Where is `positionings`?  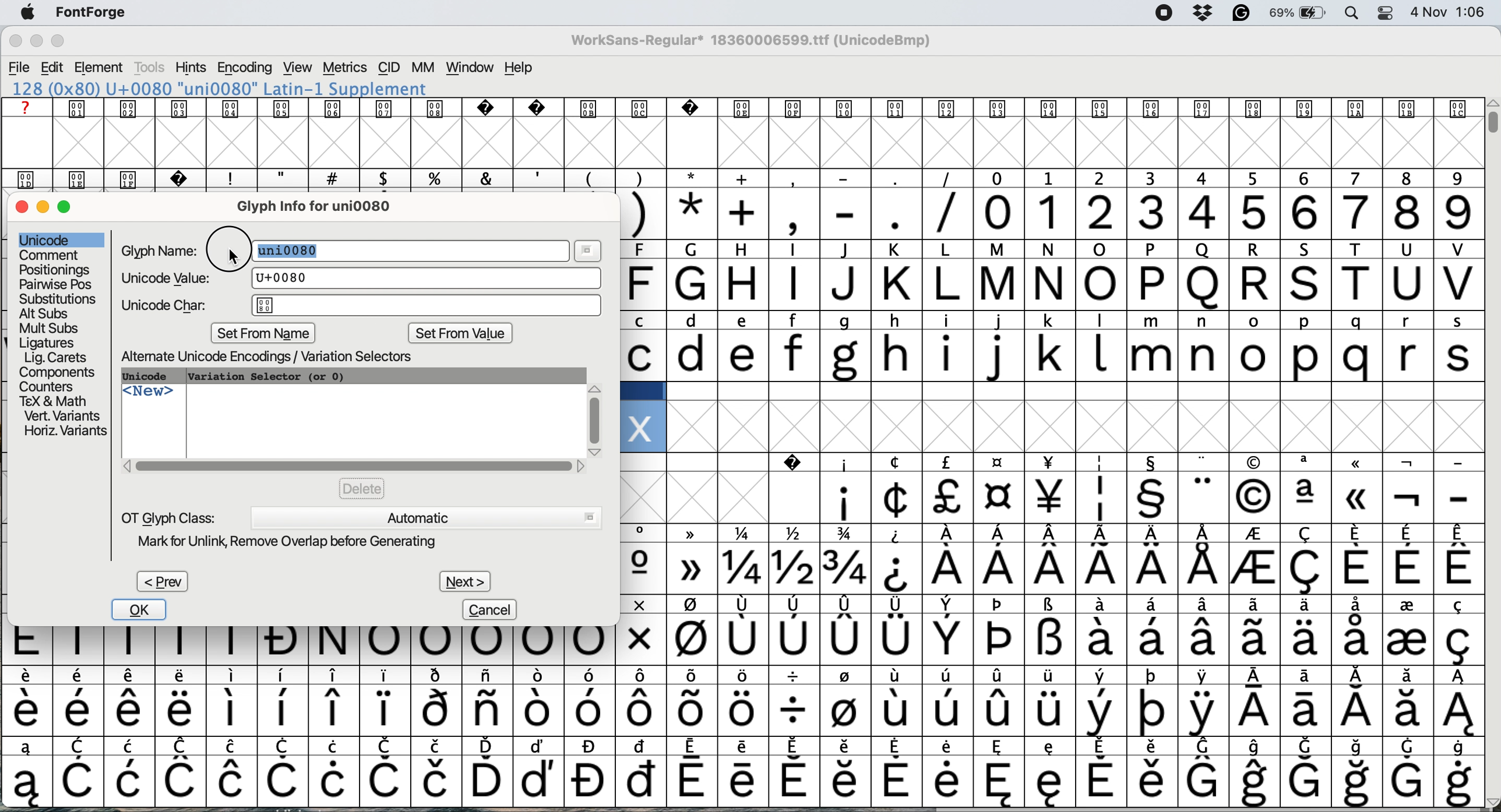 positionings is located at coordinates (55, 270).